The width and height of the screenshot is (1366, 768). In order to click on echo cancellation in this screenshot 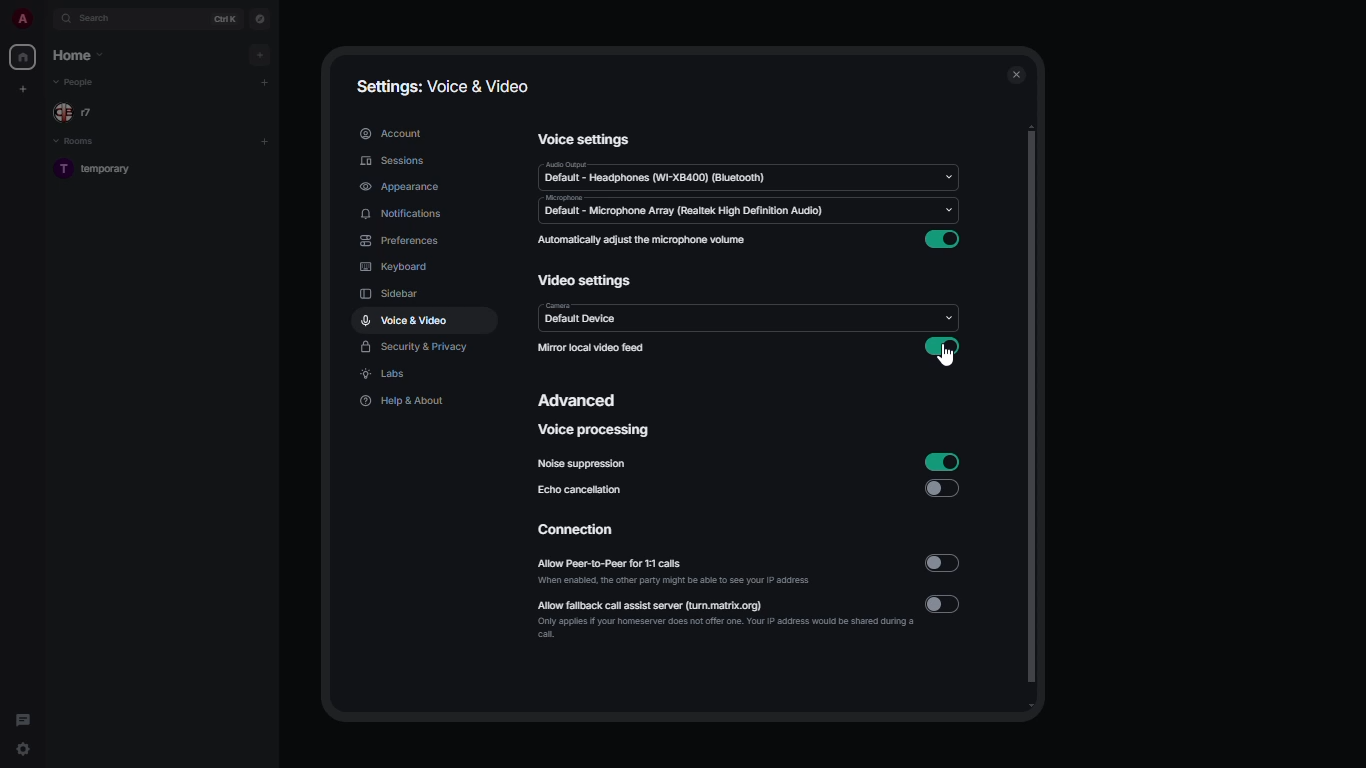, I will do `click(581, 489)`.